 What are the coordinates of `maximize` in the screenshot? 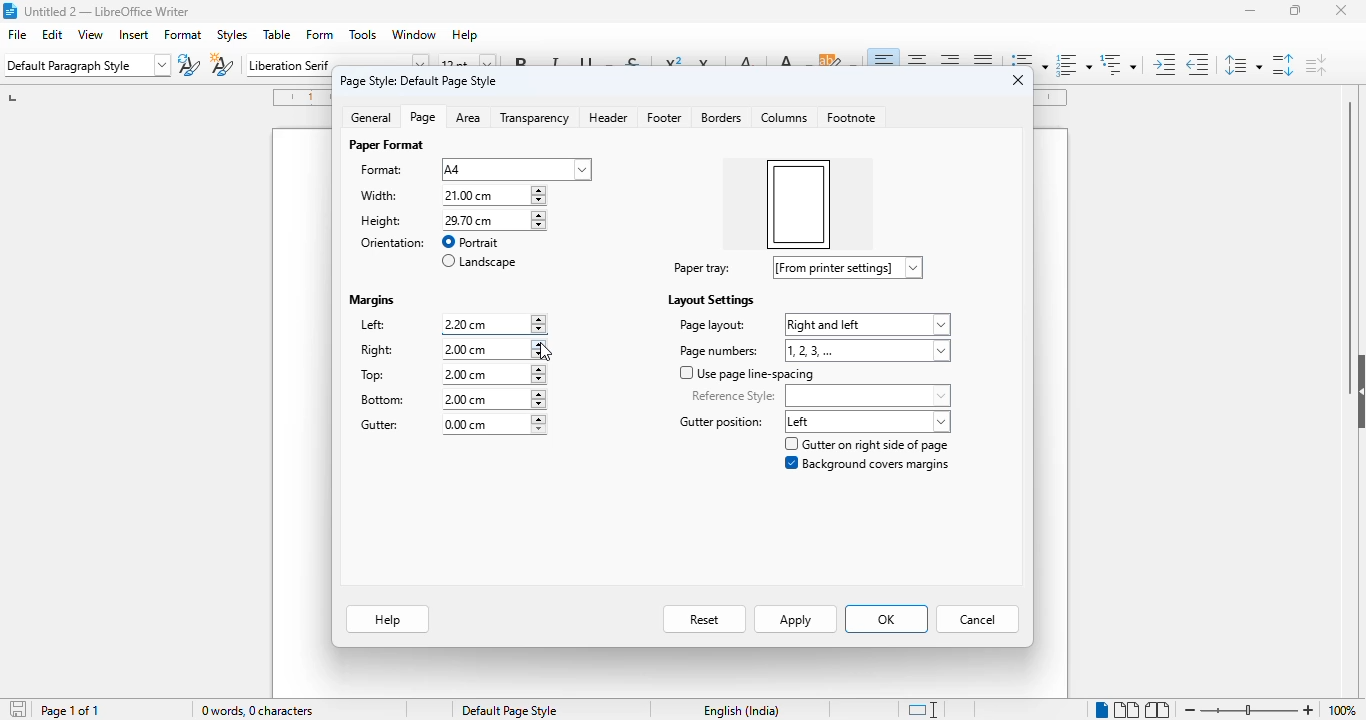 It's located at (1295, 10).